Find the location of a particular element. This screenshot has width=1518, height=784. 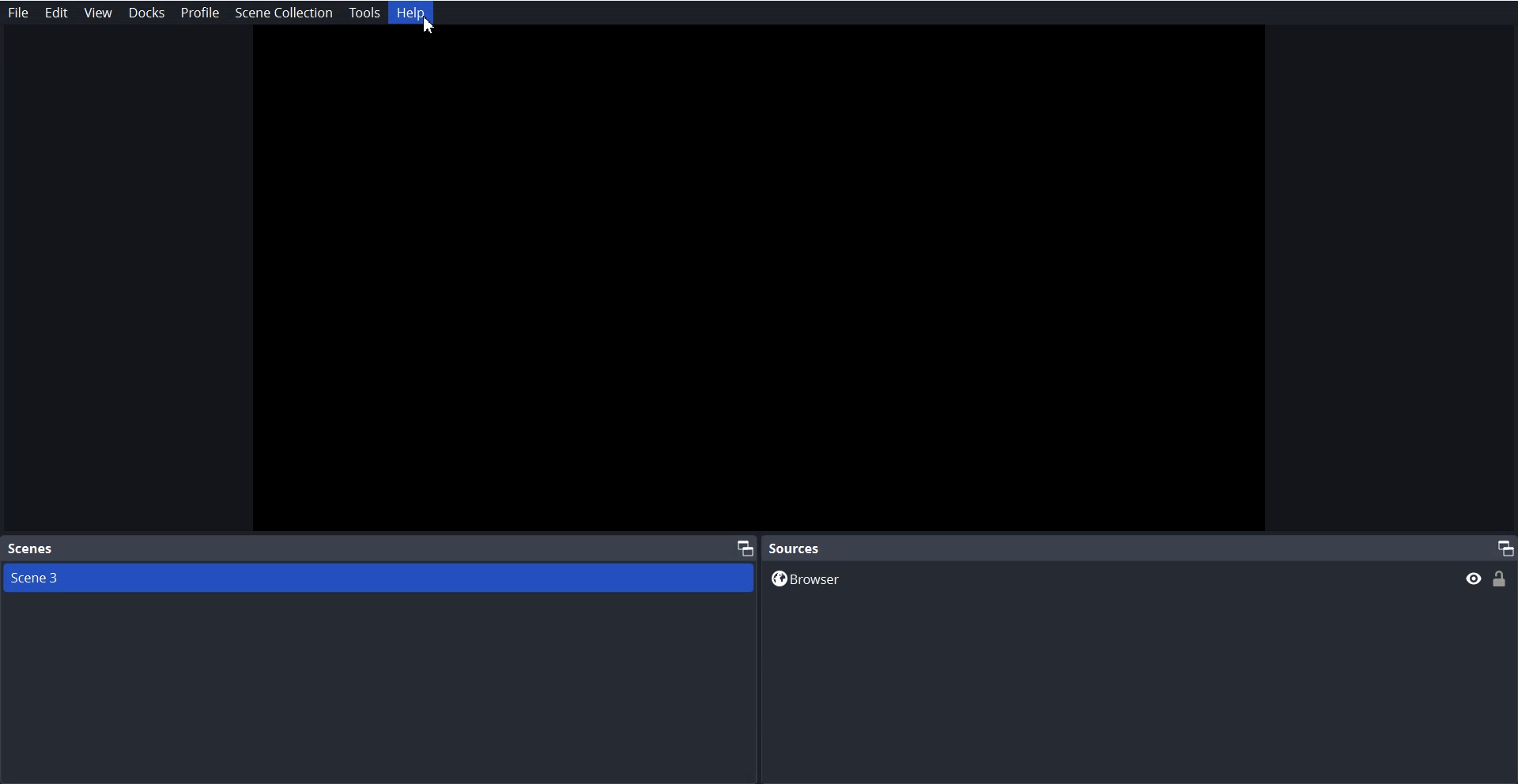

Scene collection is located at coordinates (283, 12).